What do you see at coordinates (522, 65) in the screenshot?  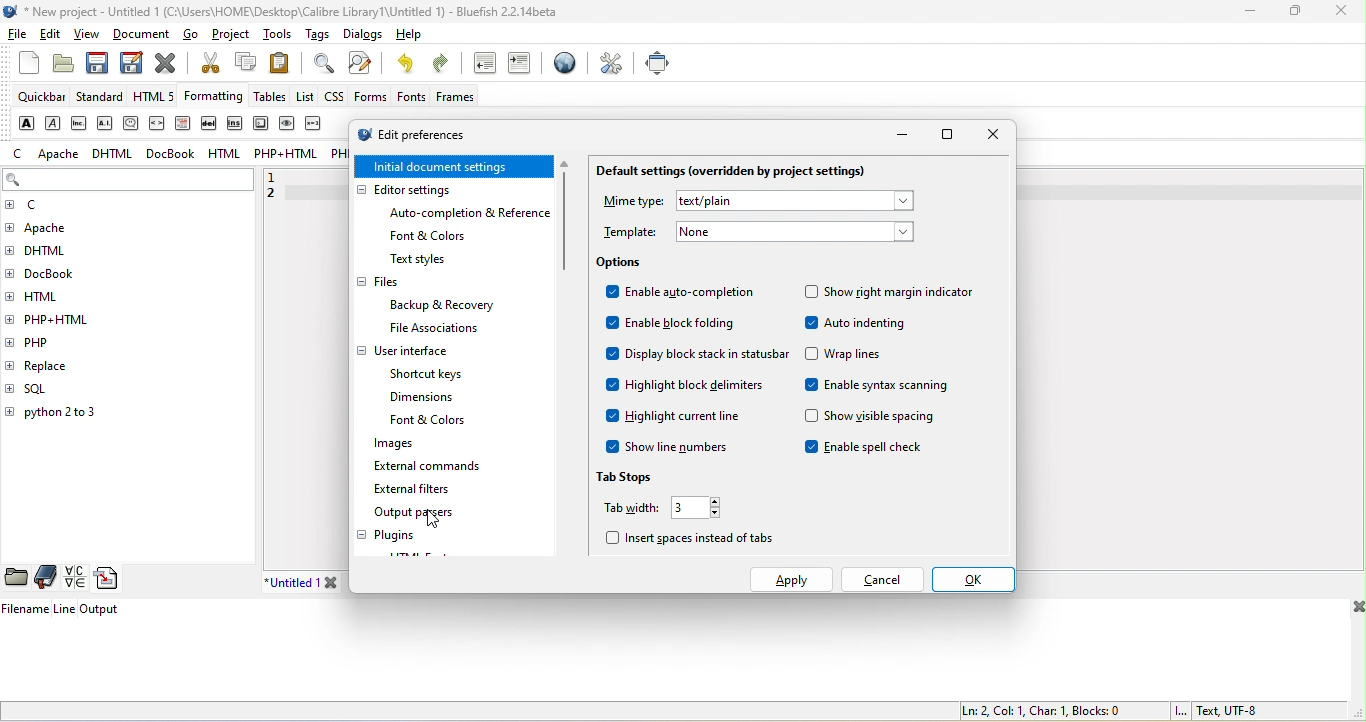 I see `indent` at bounding box center [522, 65].